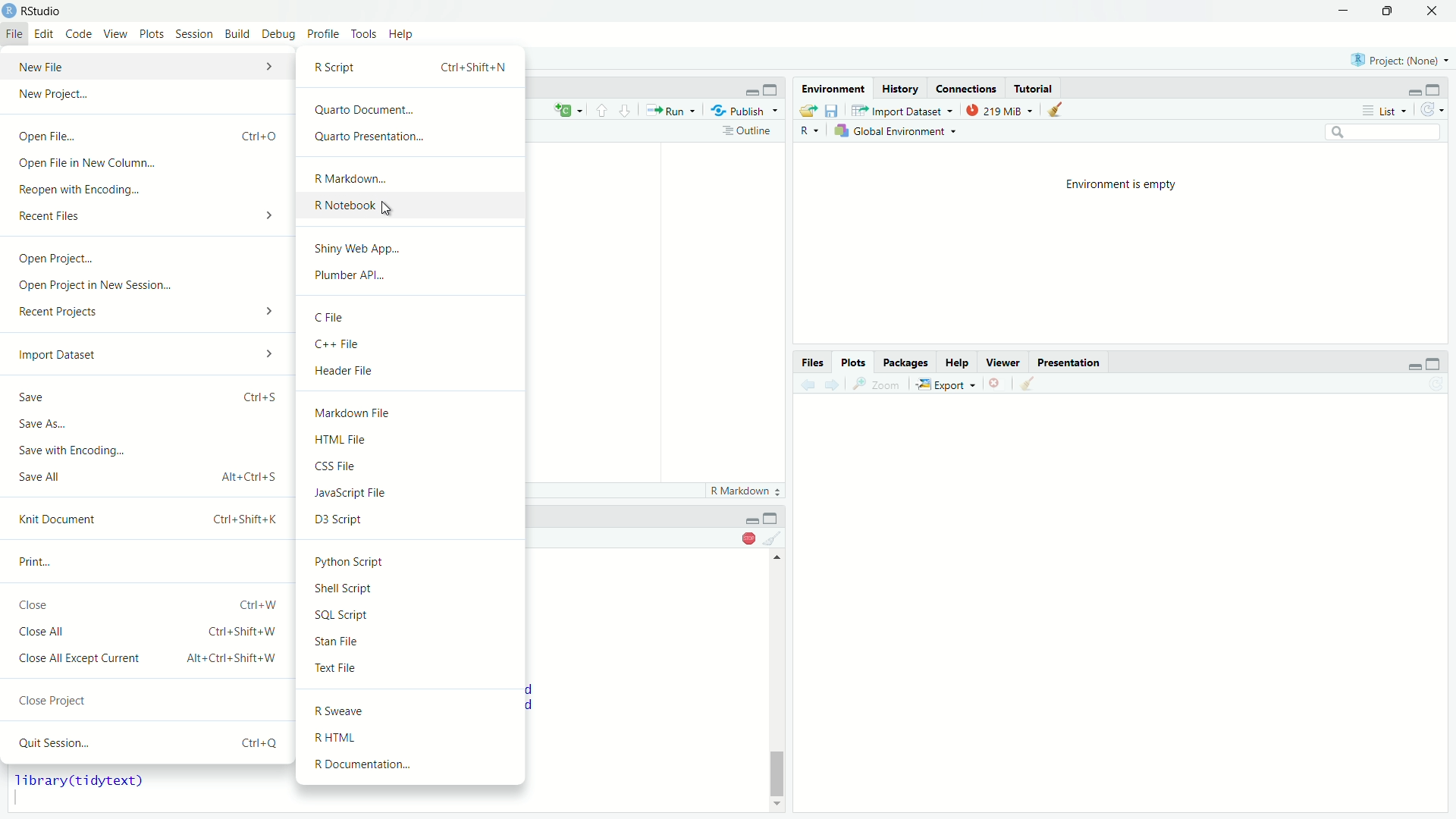 The image size is (1456, 819). I want to click on help, so click(957, 363).